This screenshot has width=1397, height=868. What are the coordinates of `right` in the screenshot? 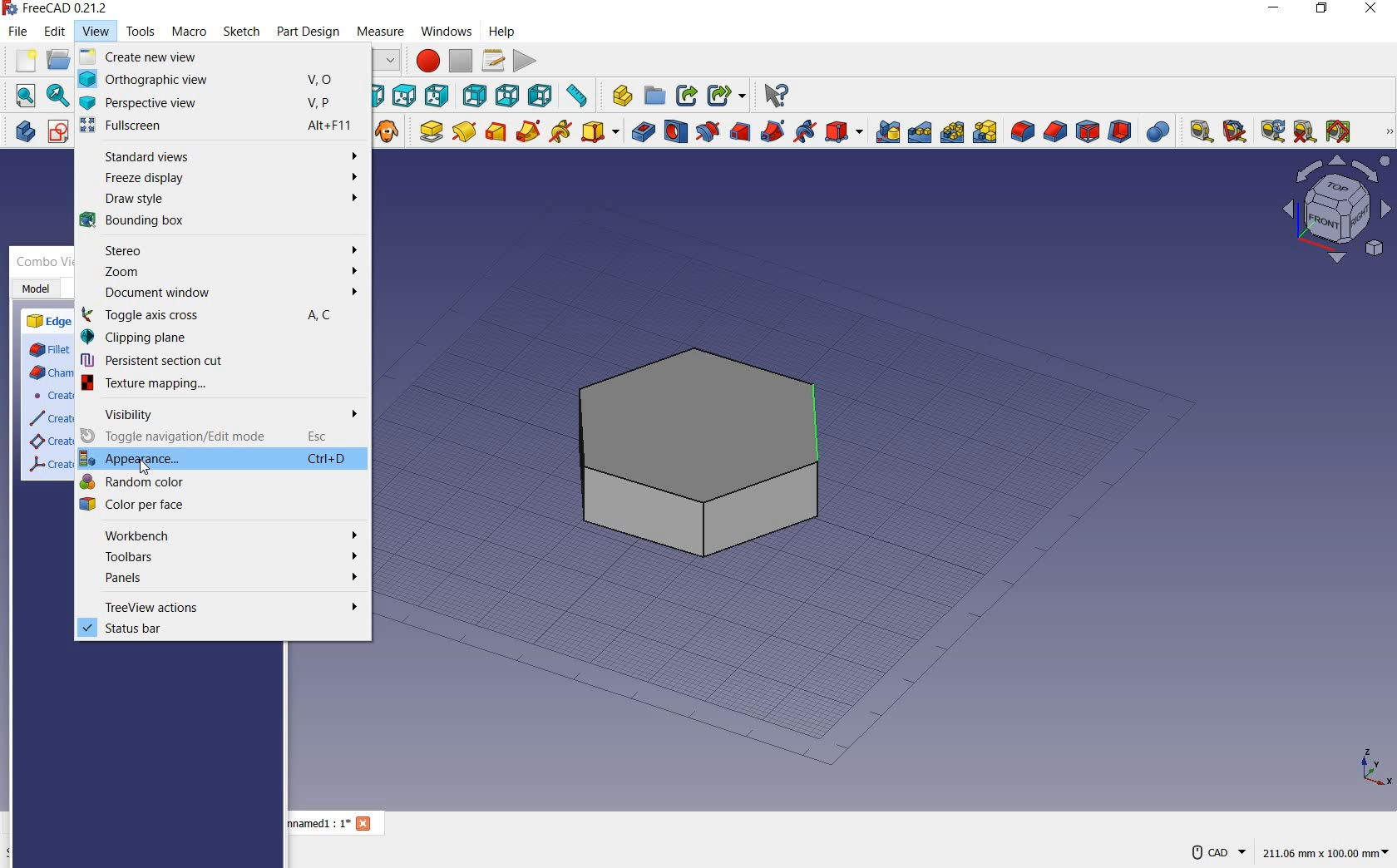 It's located at (438, 96).